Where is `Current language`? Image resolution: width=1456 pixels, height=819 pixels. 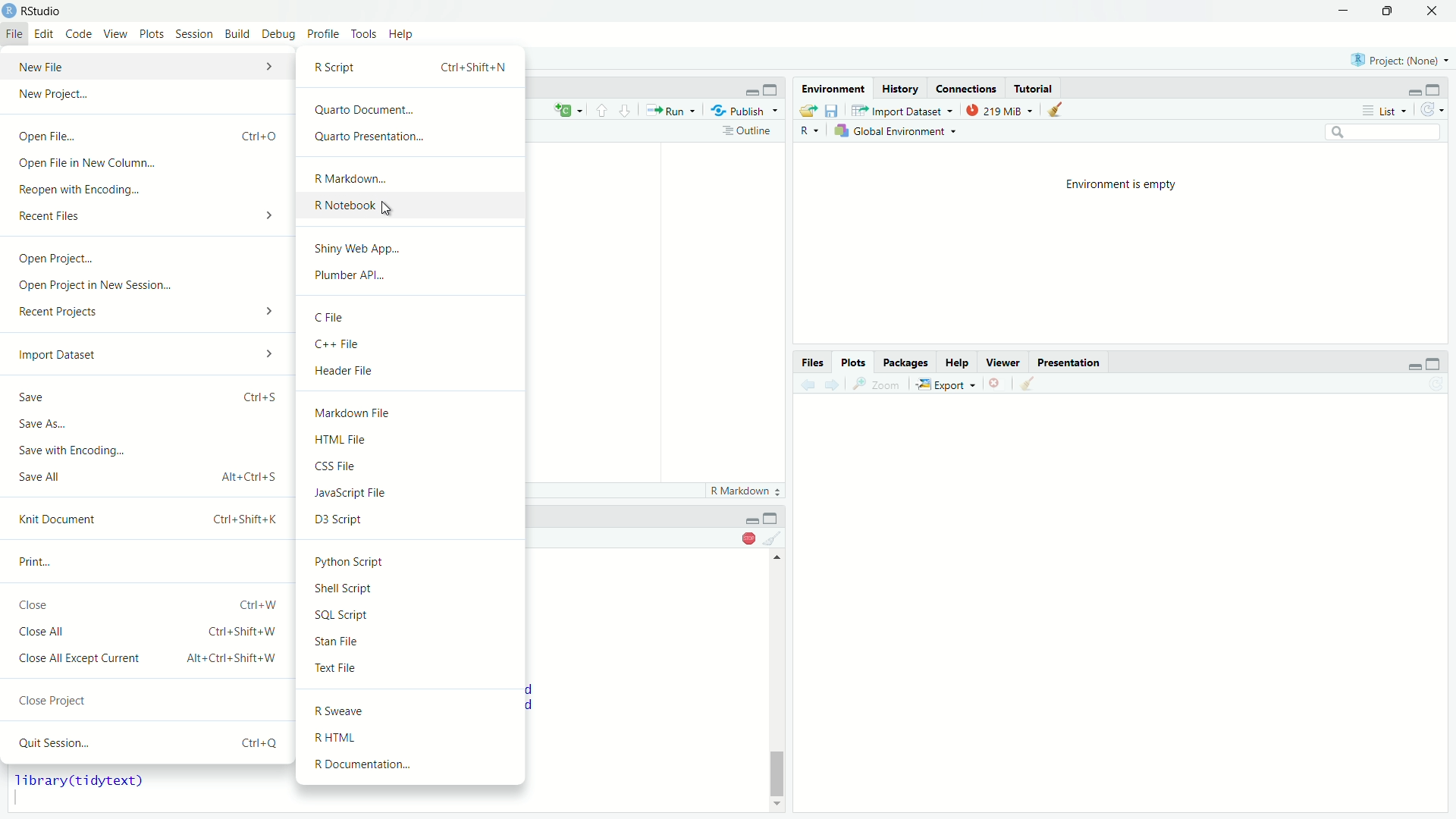 Current language is located at coordinates (570, 110).